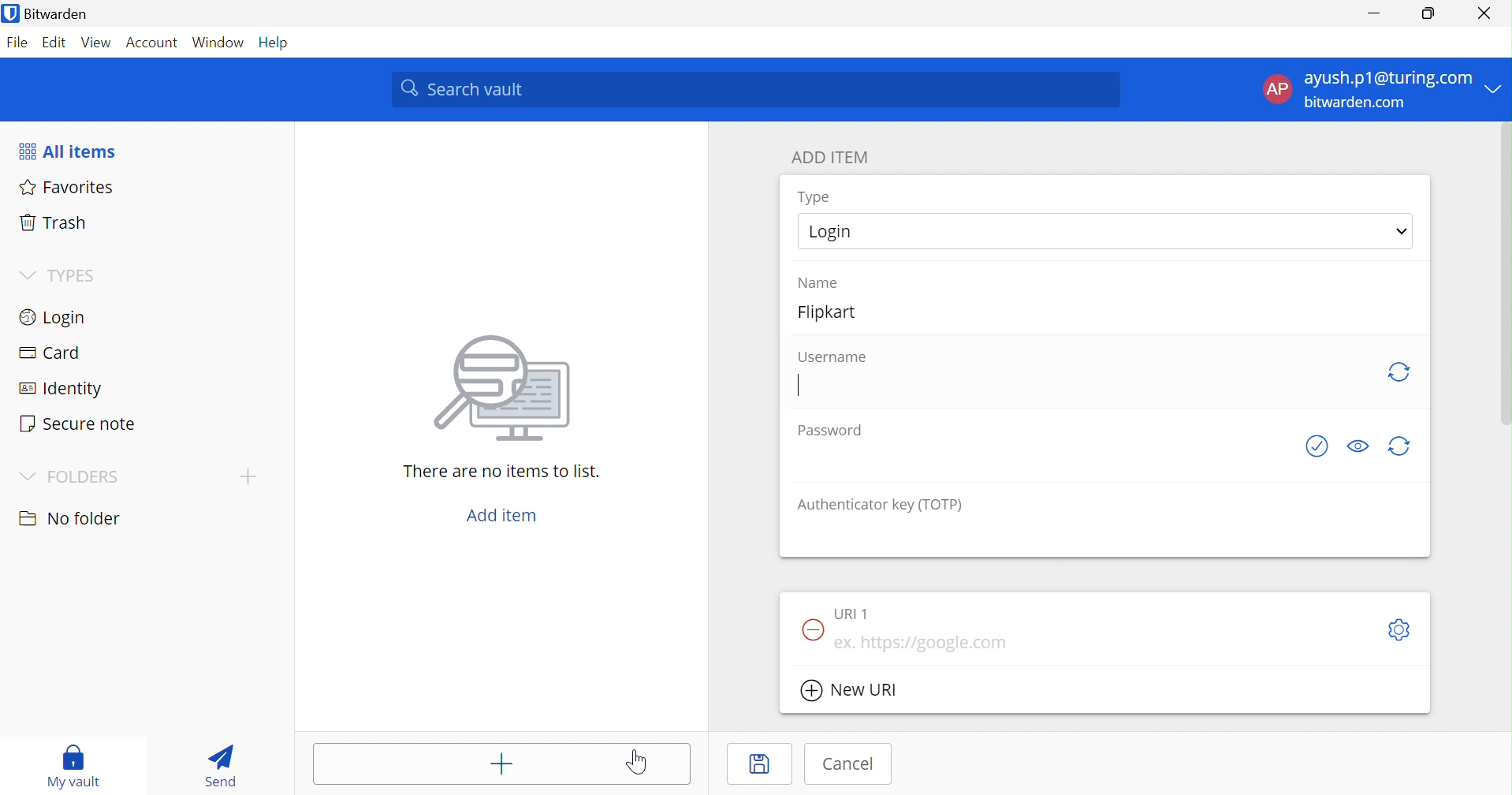 Image resolution: width=1512 pixels, height=795 pixels. I want to click on Flipkart, so click(837, 317).